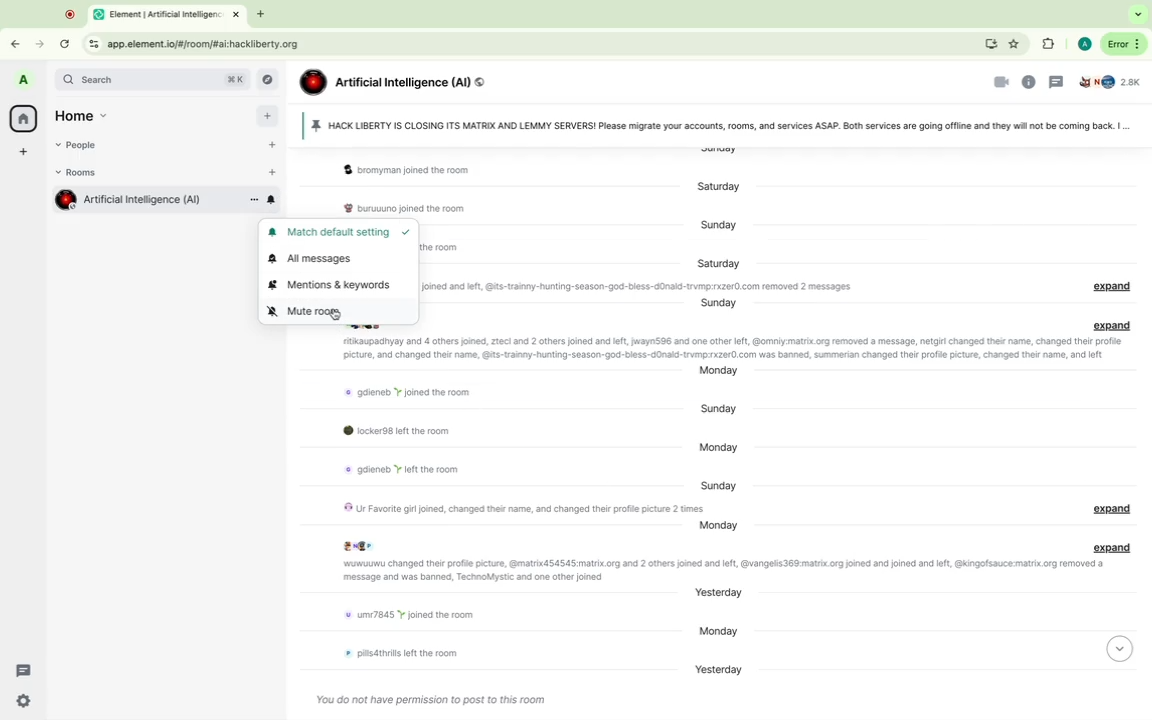  I want to click on Home, so click(90, 116).